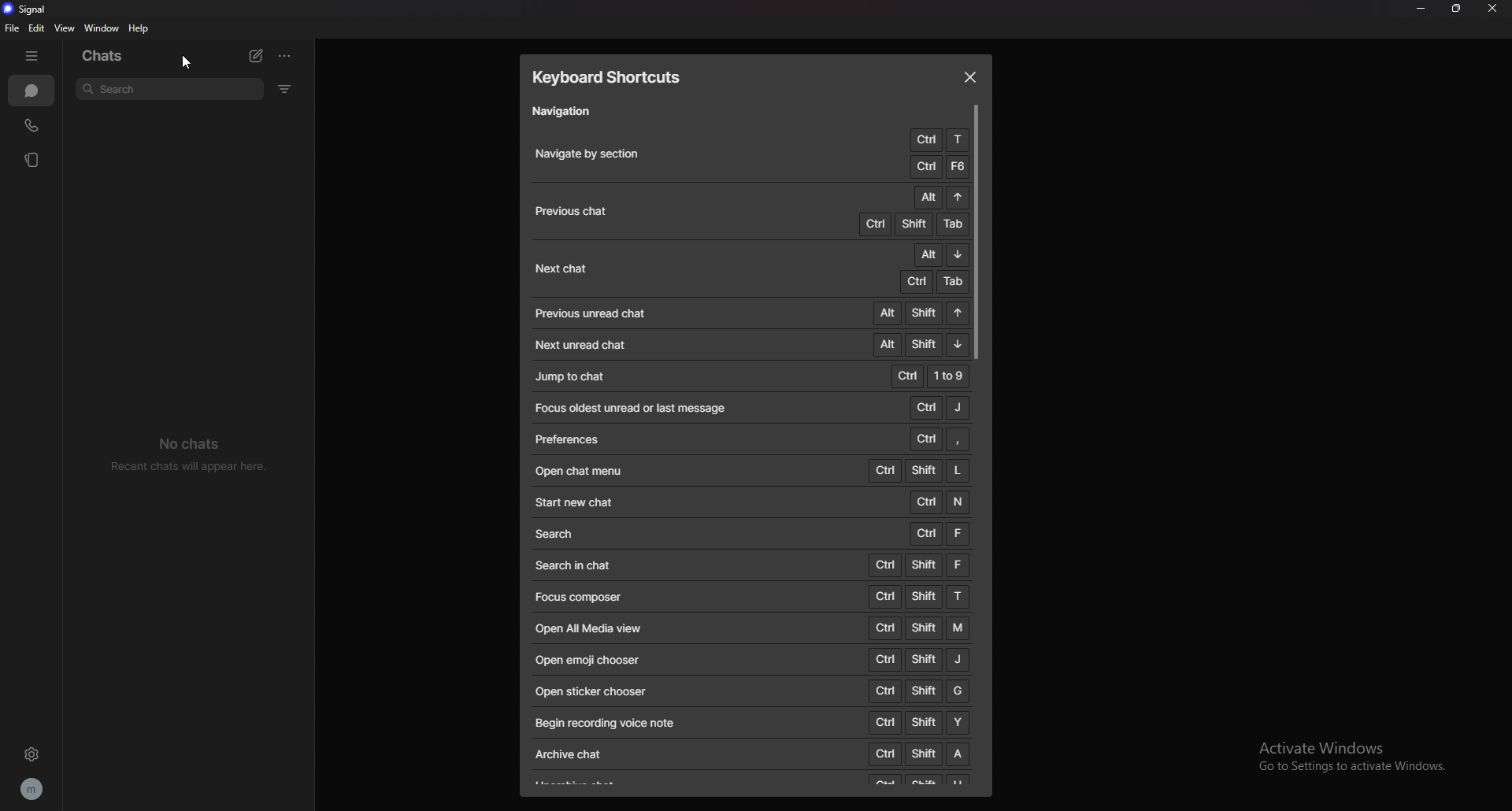 The width and height of the screenshot is (1512, 811). Describe the element at coordinates (919, 754) in the screenshot. I see `CTRL + SHIFT + A` at that location.